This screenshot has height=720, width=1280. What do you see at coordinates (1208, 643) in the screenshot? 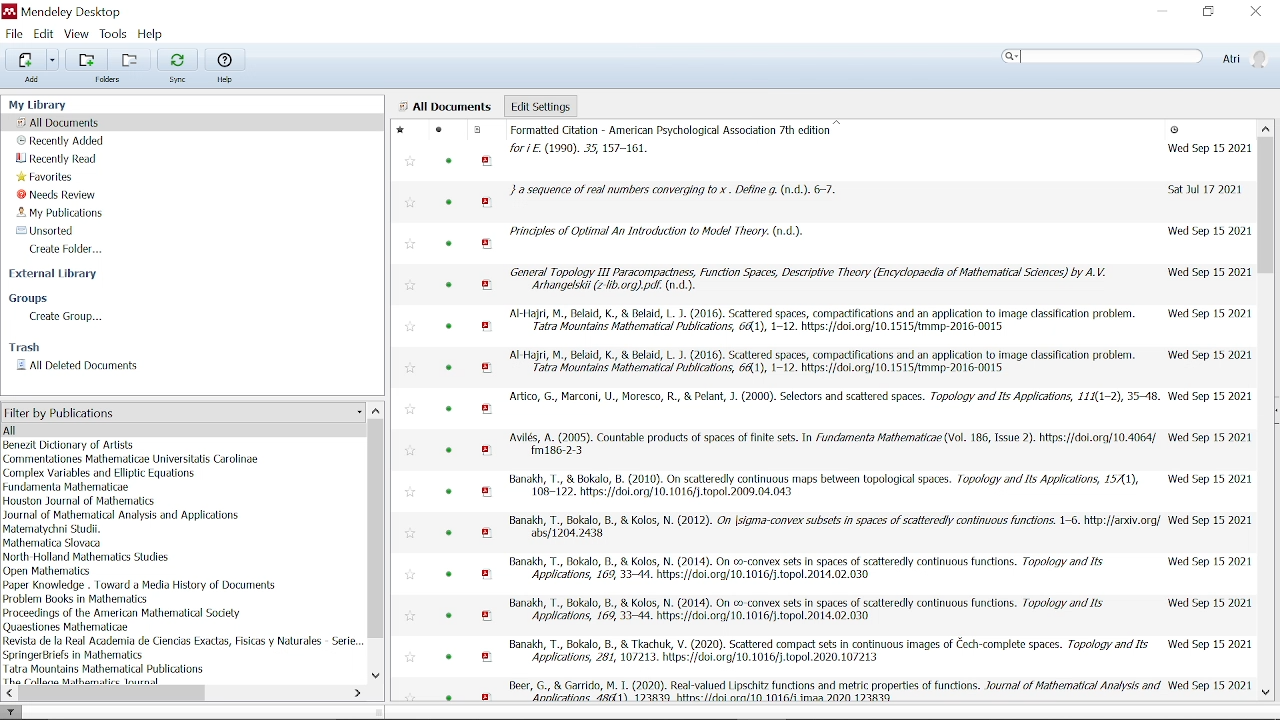
I see `date time` at bounding box center [1208, 643].